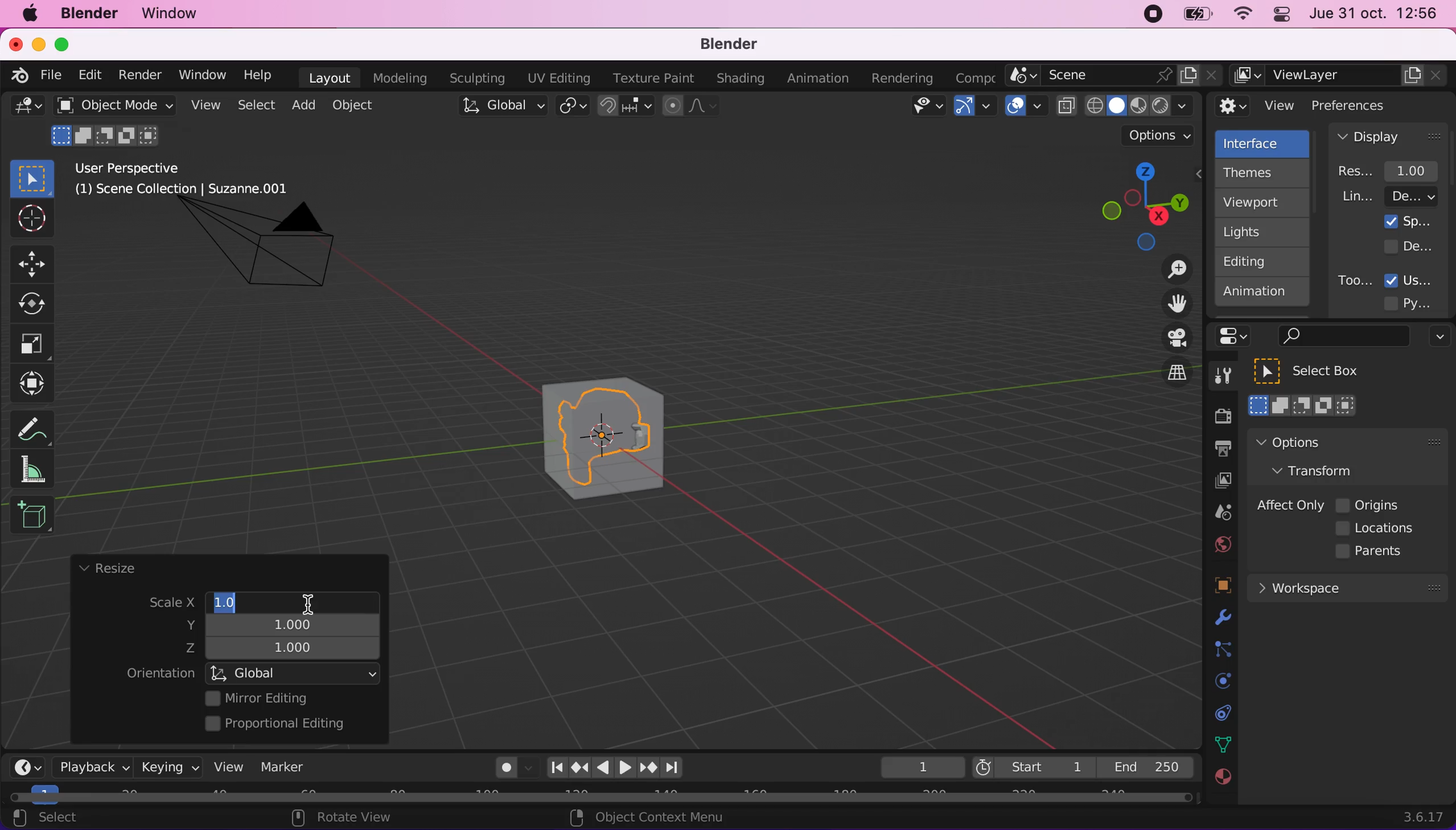 The height and width of the screenshot is (830, 1456). What do you see at coordinates (107, 569) in the screenshot?
I see `resize` at bounding box center [107, 569].